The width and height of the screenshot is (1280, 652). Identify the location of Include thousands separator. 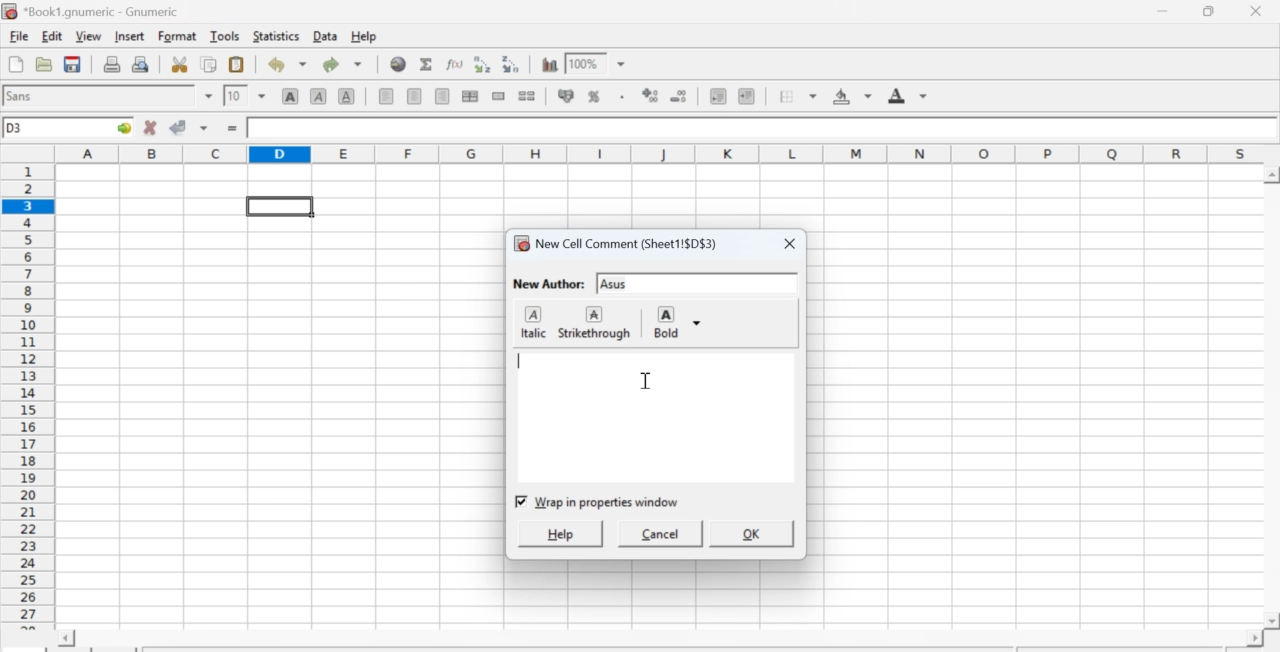
(622, 98).